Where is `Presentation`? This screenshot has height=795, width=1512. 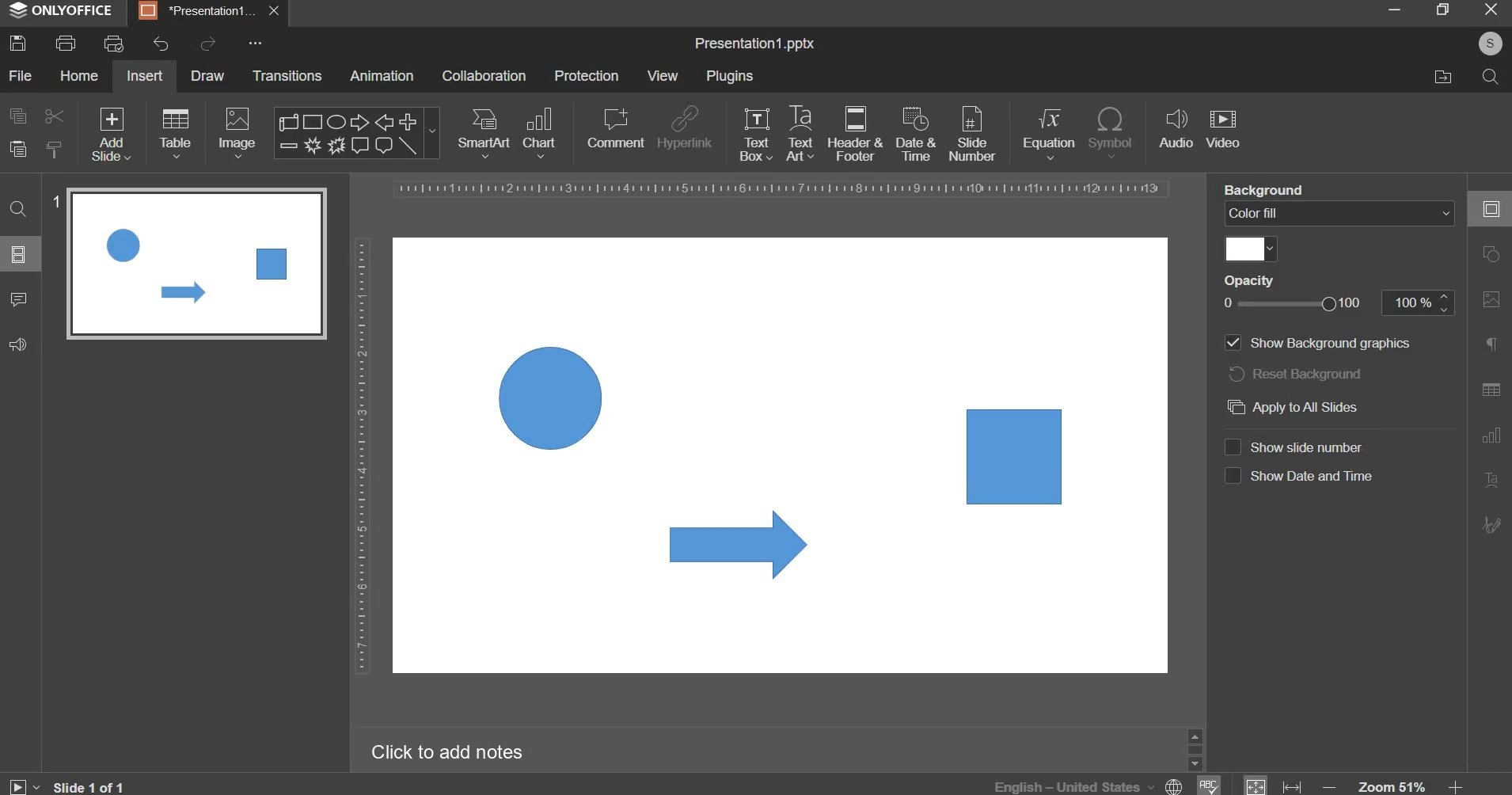
Presentation is located at coordinates (199, 11).